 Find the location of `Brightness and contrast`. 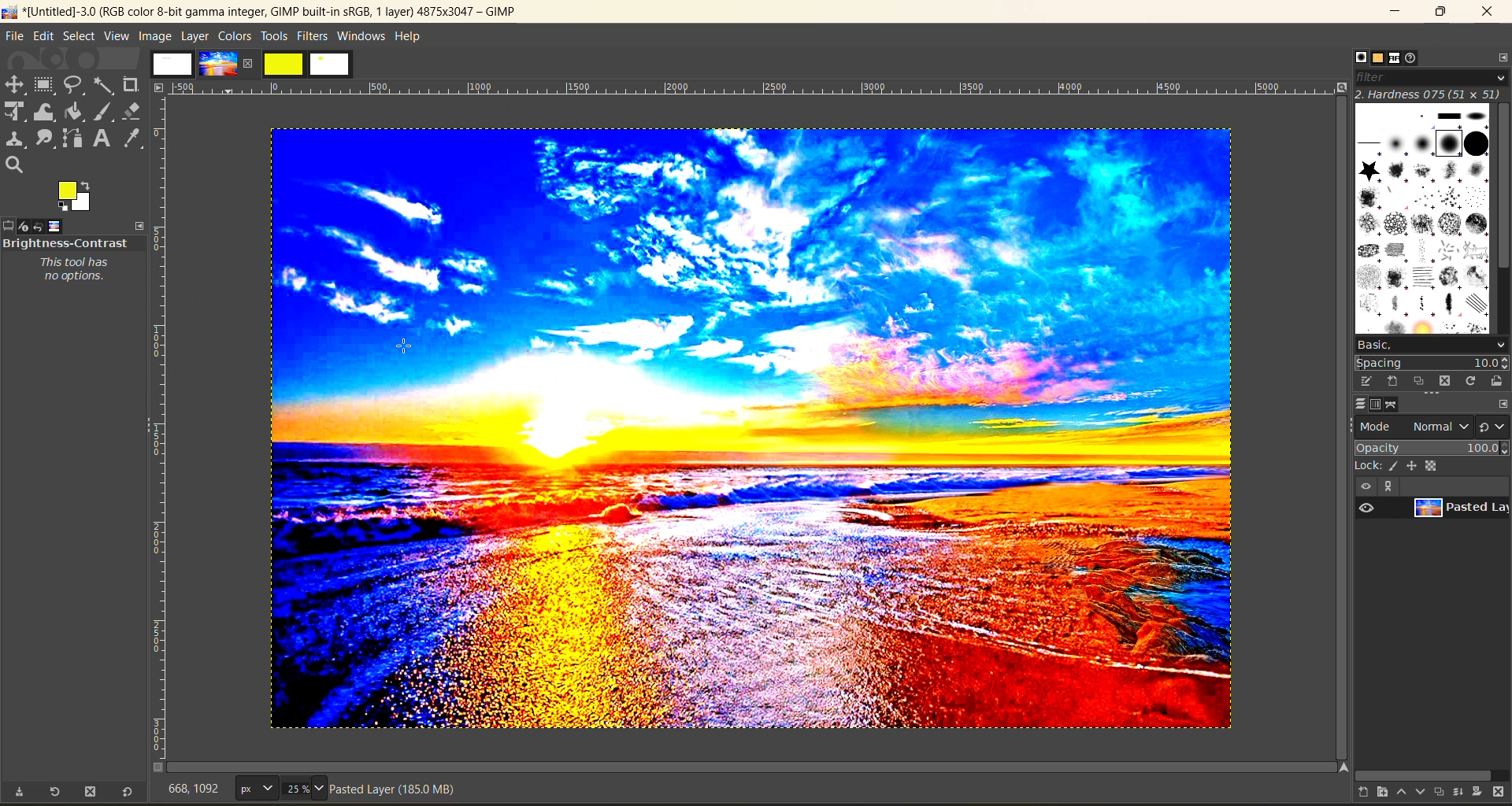

Brightness and contrast is located at coordinates (65, 242).